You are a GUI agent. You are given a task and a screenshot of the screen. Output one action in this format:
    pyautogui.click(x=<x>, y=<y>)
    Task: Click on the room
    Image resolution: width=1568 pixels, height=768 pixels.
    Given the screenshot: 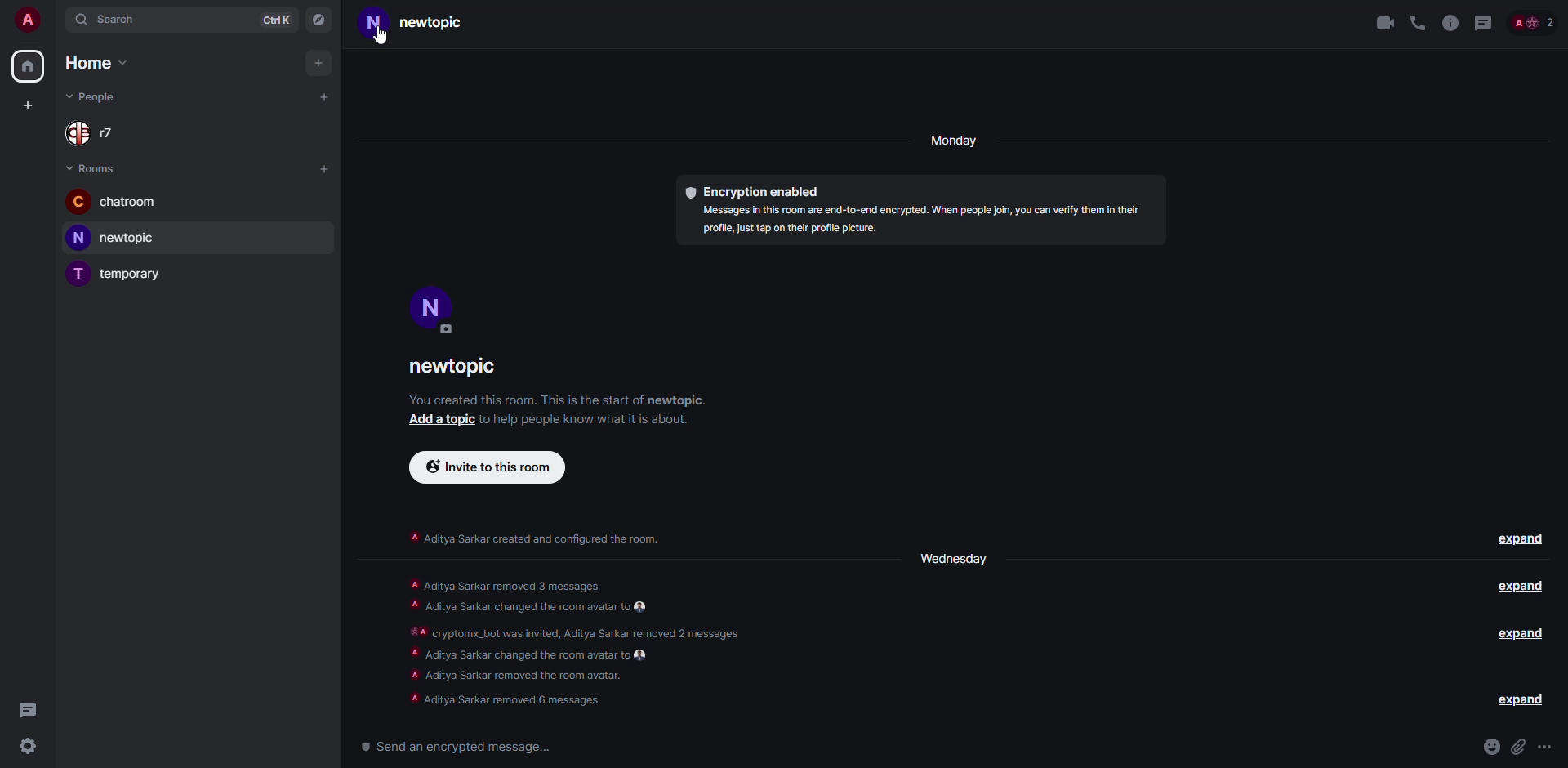 What is the action you would take?
    pyautogui.click(x=454, y=367)
    